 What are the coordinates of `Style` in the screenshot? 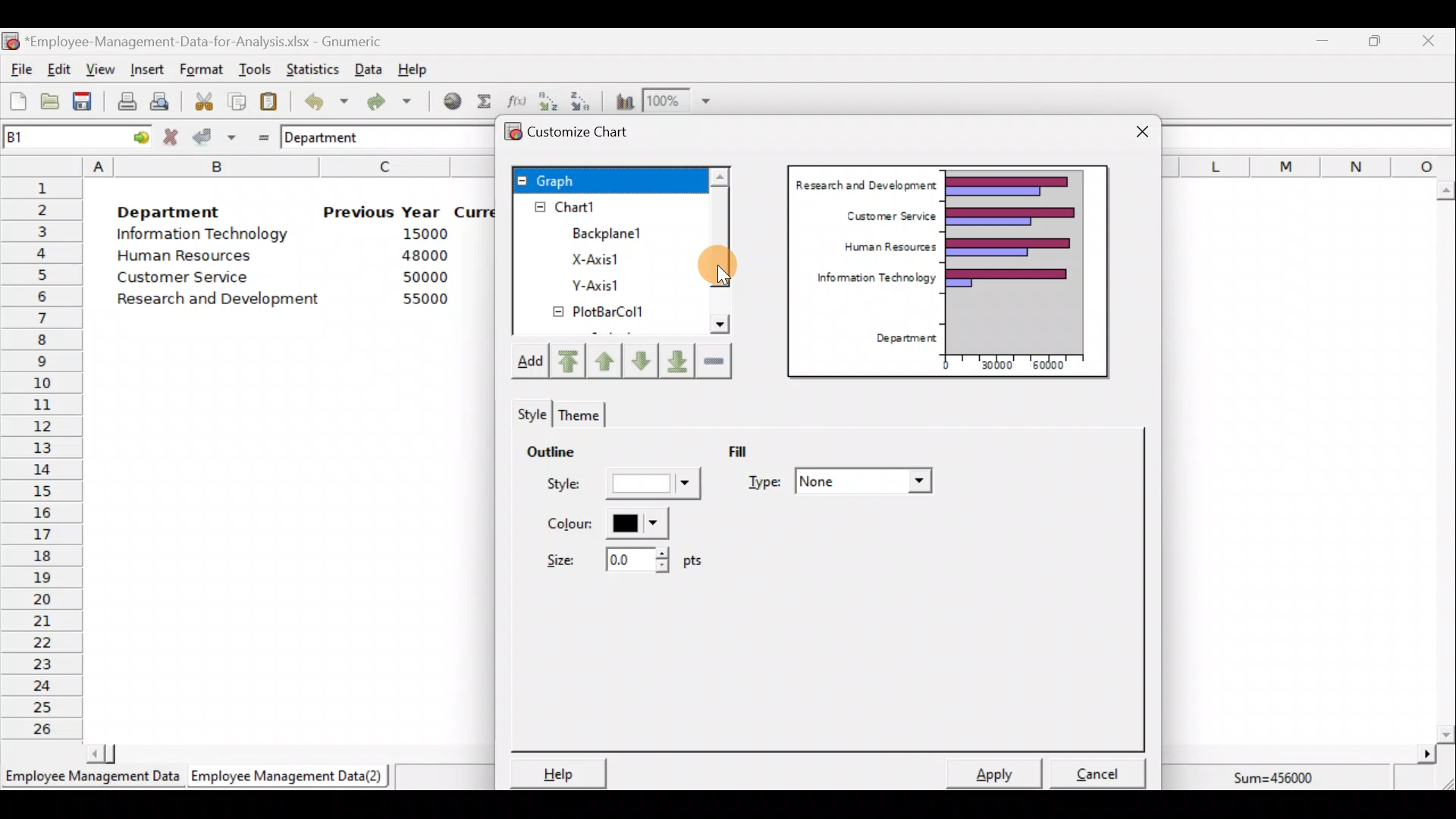 It's located at (626, 488).